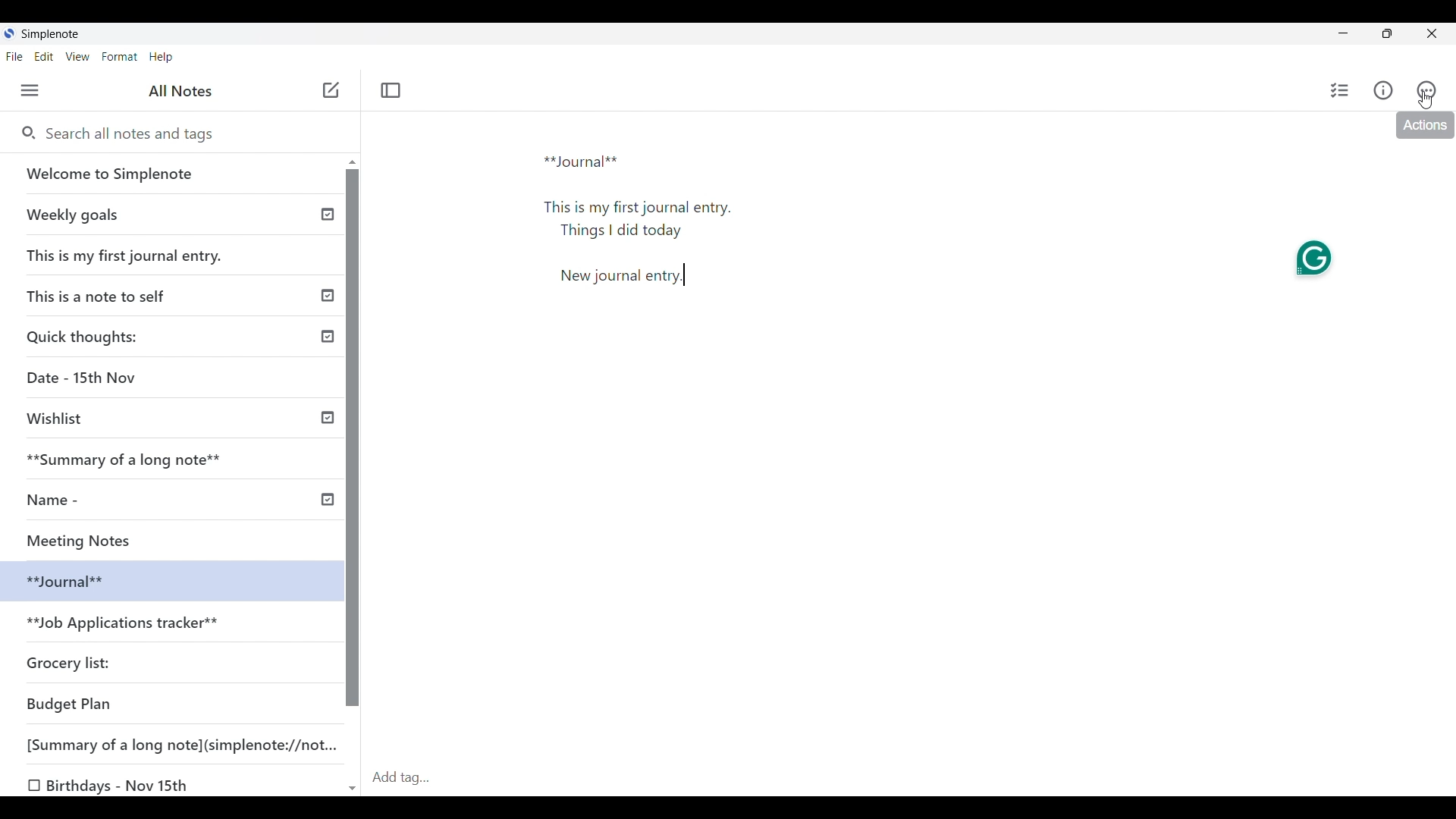  Describe the element at coordinates (168, 579) in the screenshot. I see `selected note` at that location.